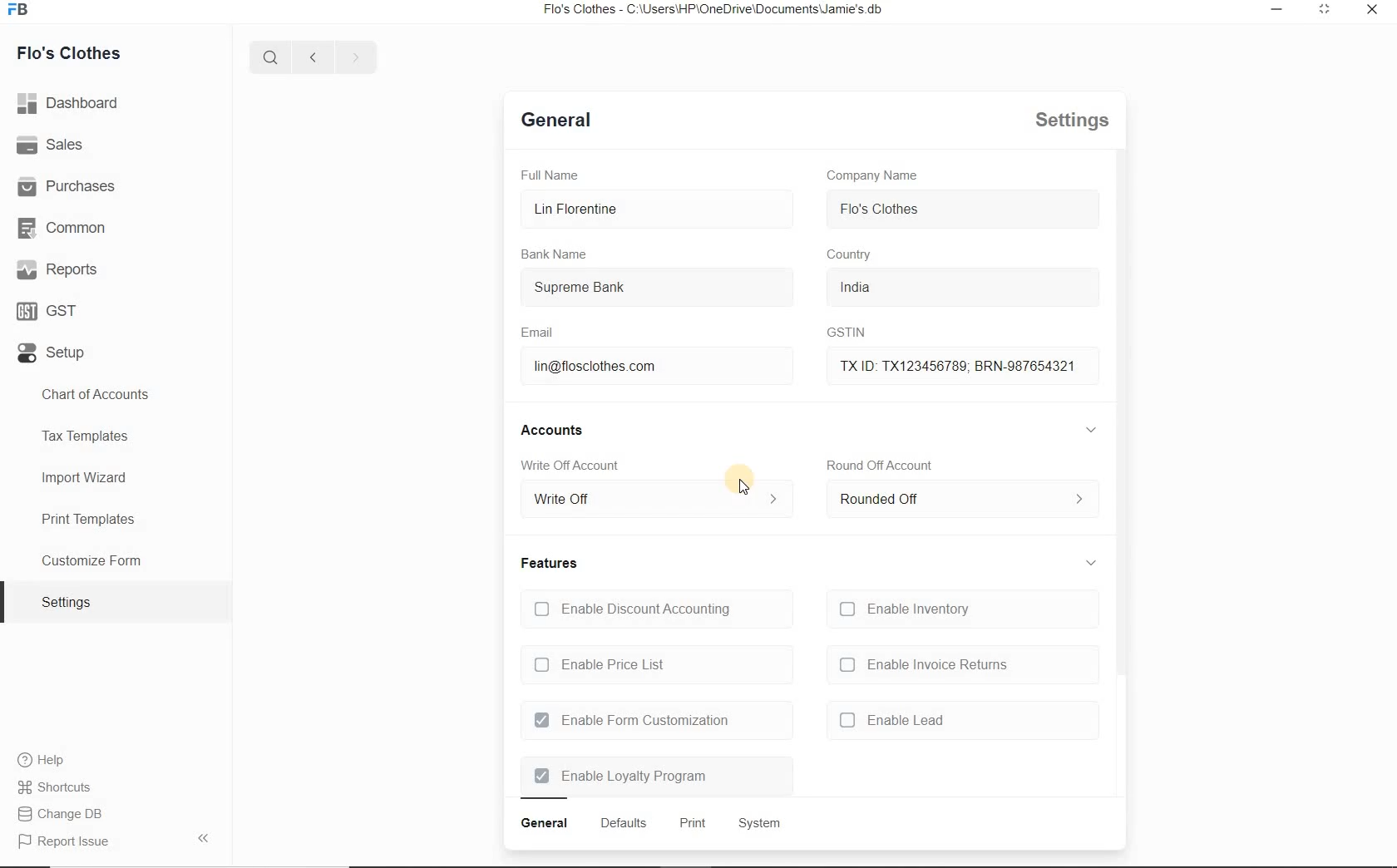 The height and width of the screenshot is (868, 1397). Describe the element at coordinates (62, 269) in the screenshot. I see `Reports` at that location.